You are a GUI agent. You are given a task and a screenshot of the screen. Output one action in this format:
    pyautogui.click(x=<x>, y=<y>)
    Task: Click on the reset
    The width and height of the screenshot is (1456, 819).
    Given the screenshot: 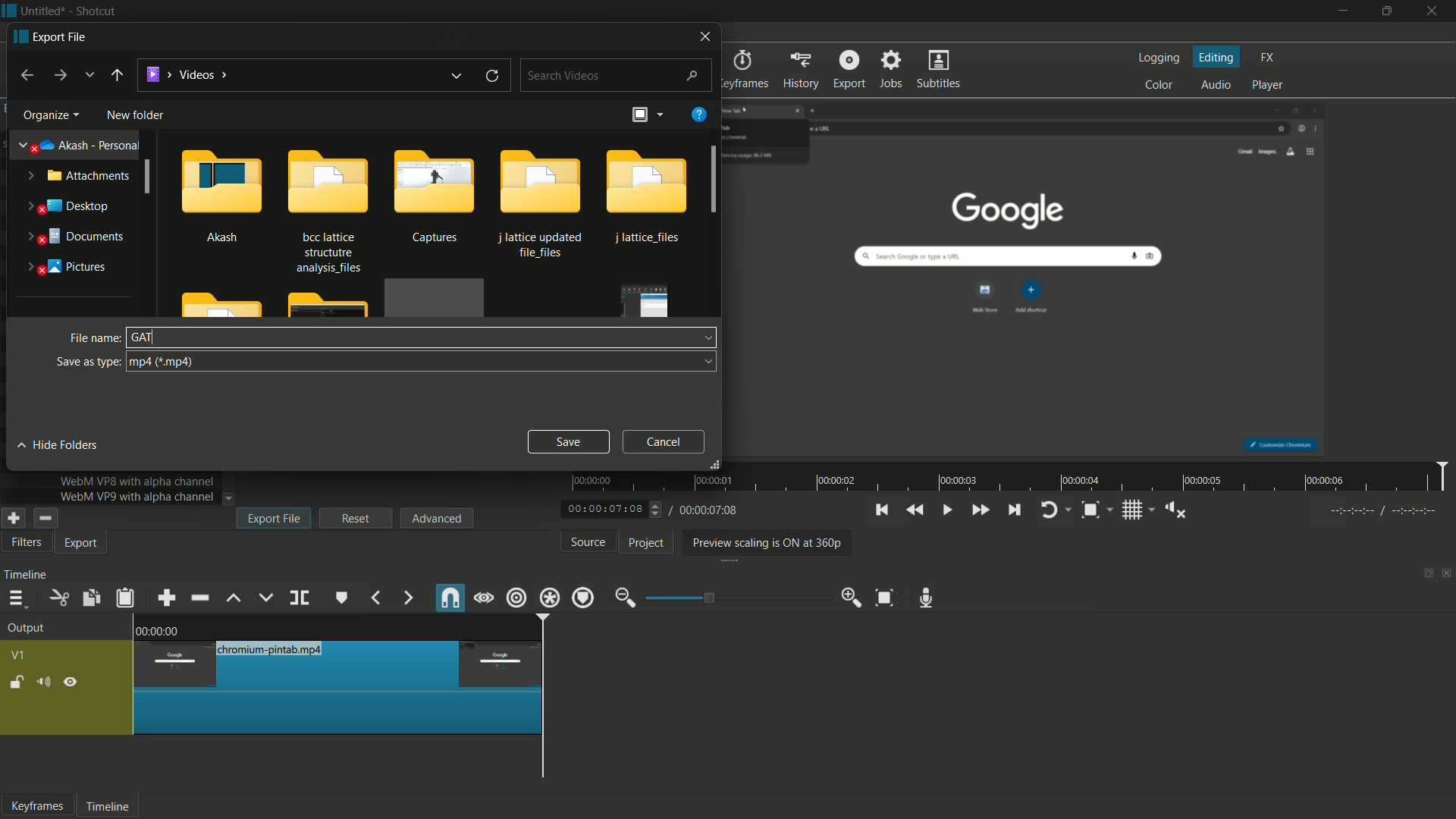 What is the action you would take?
    pyautogui.click(x=356, y=518)
    